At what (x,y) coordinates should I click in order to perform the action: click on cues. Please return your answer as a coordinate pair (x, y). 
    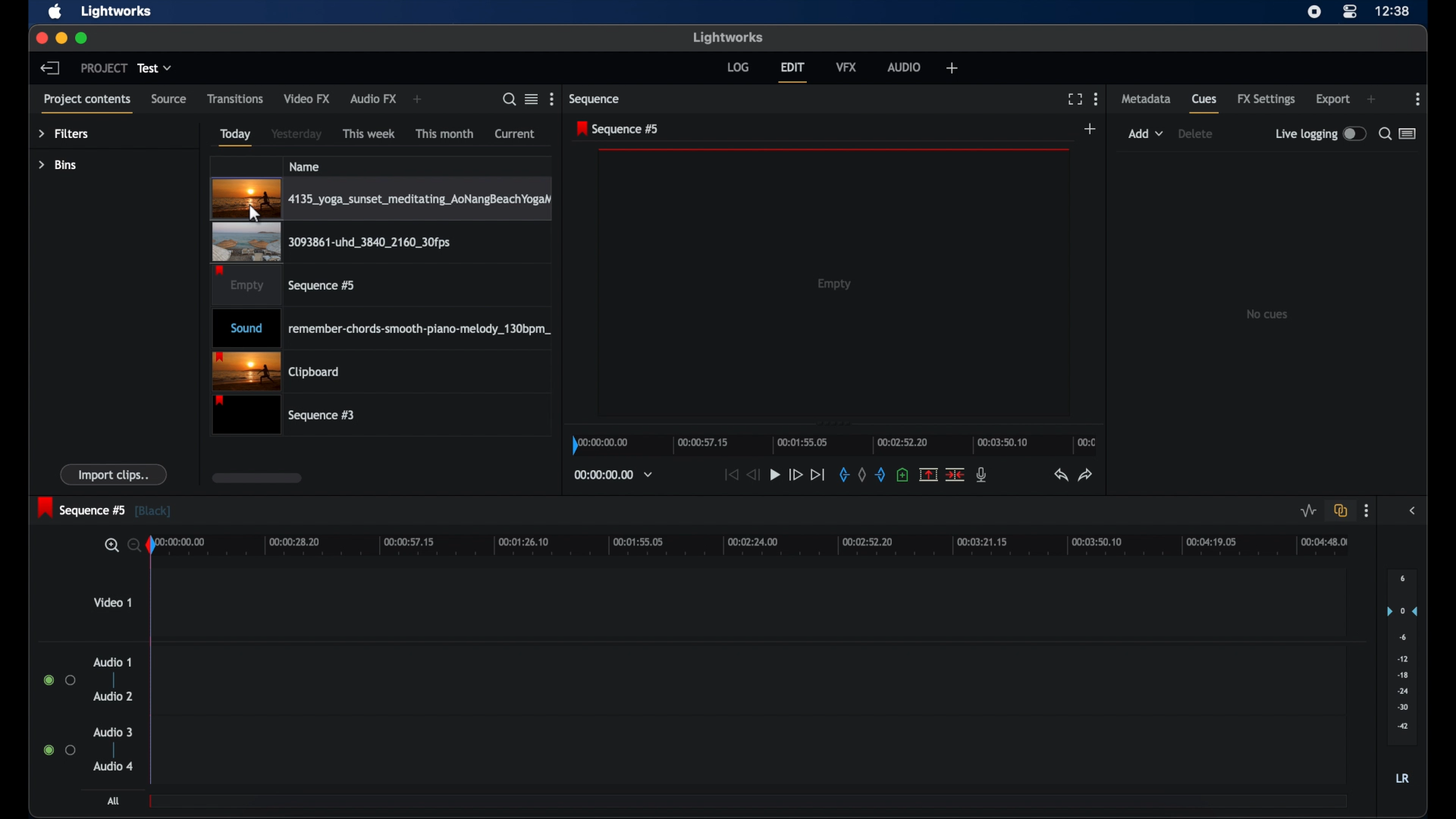
    Looking at the image, I should click on (1206, 103).